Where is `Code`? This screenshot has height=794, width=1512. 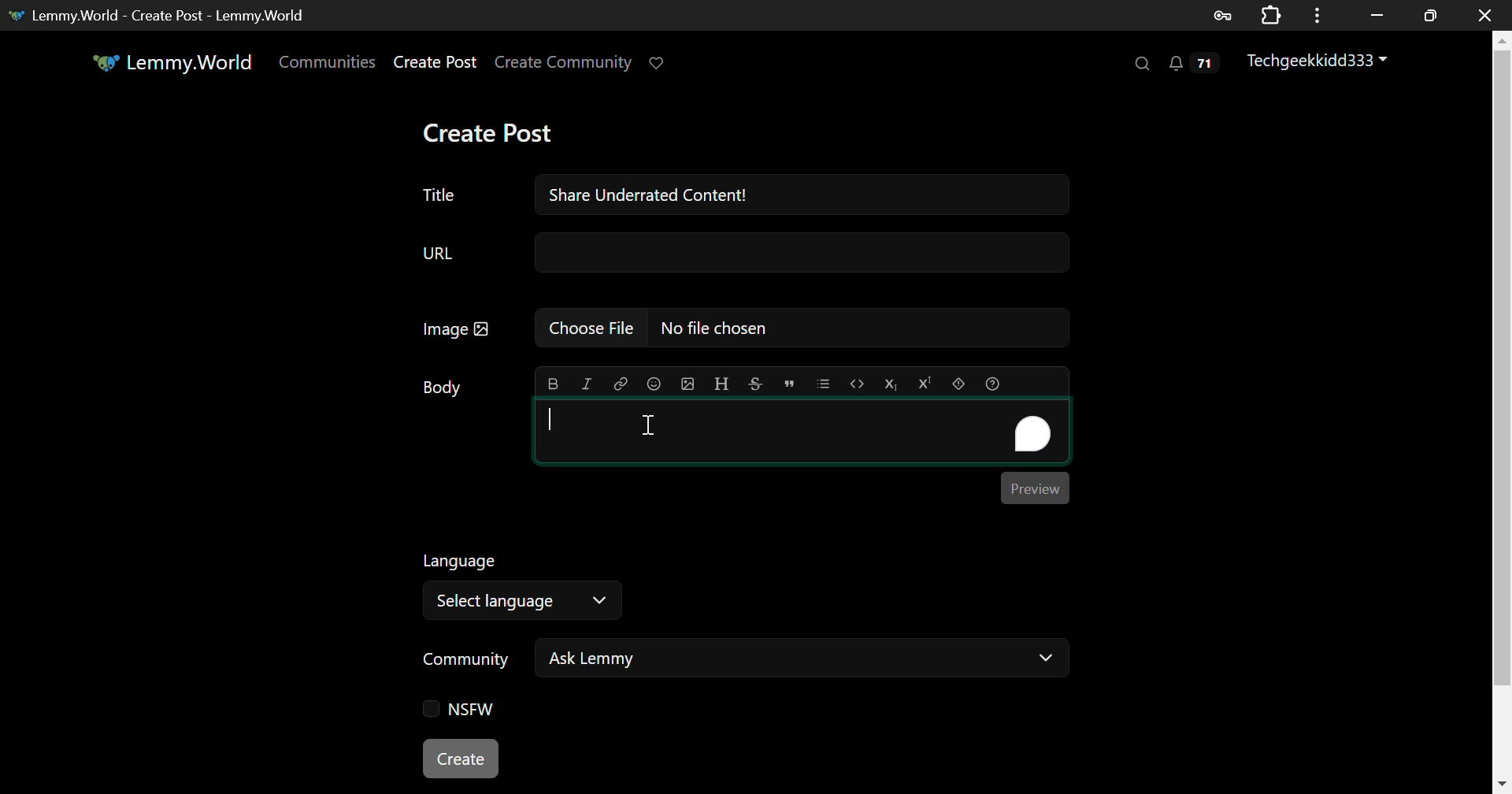 Code is located at coordinates (856, 384).